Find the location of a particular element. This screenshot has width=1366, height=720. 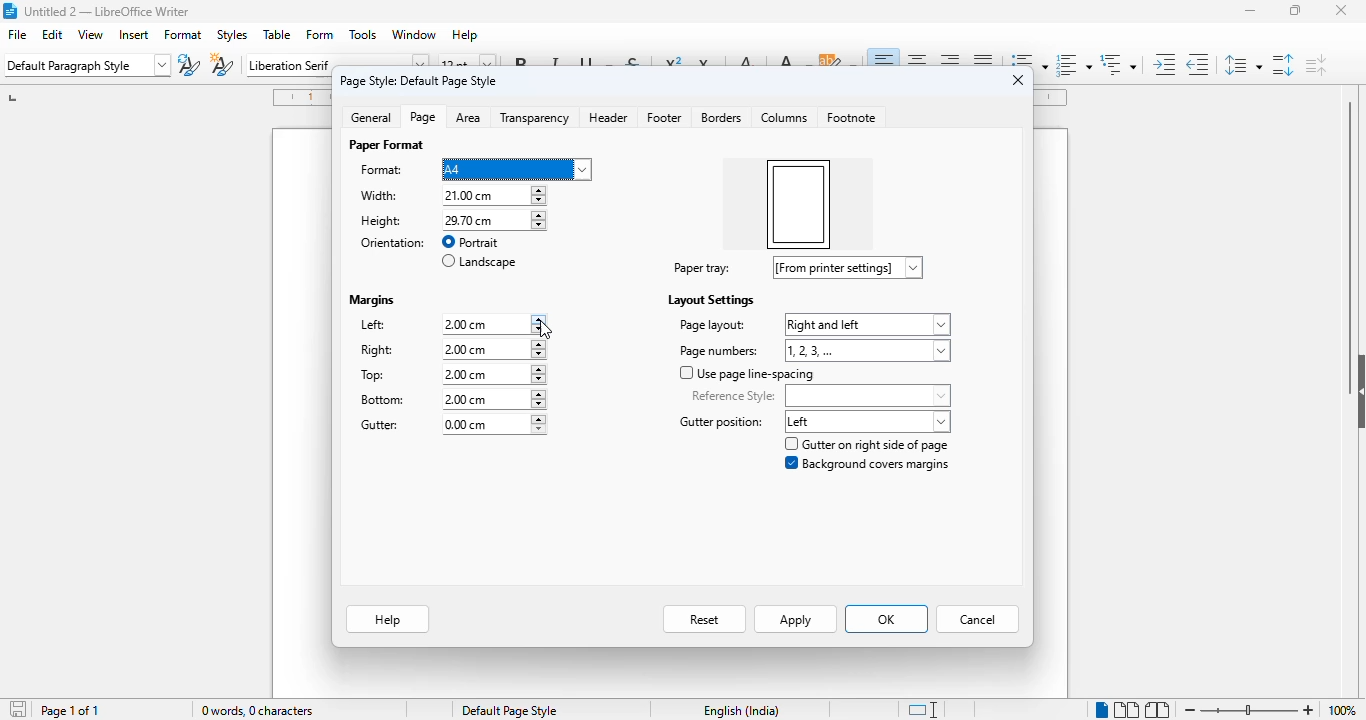

area is located at coordinates (469, 117).